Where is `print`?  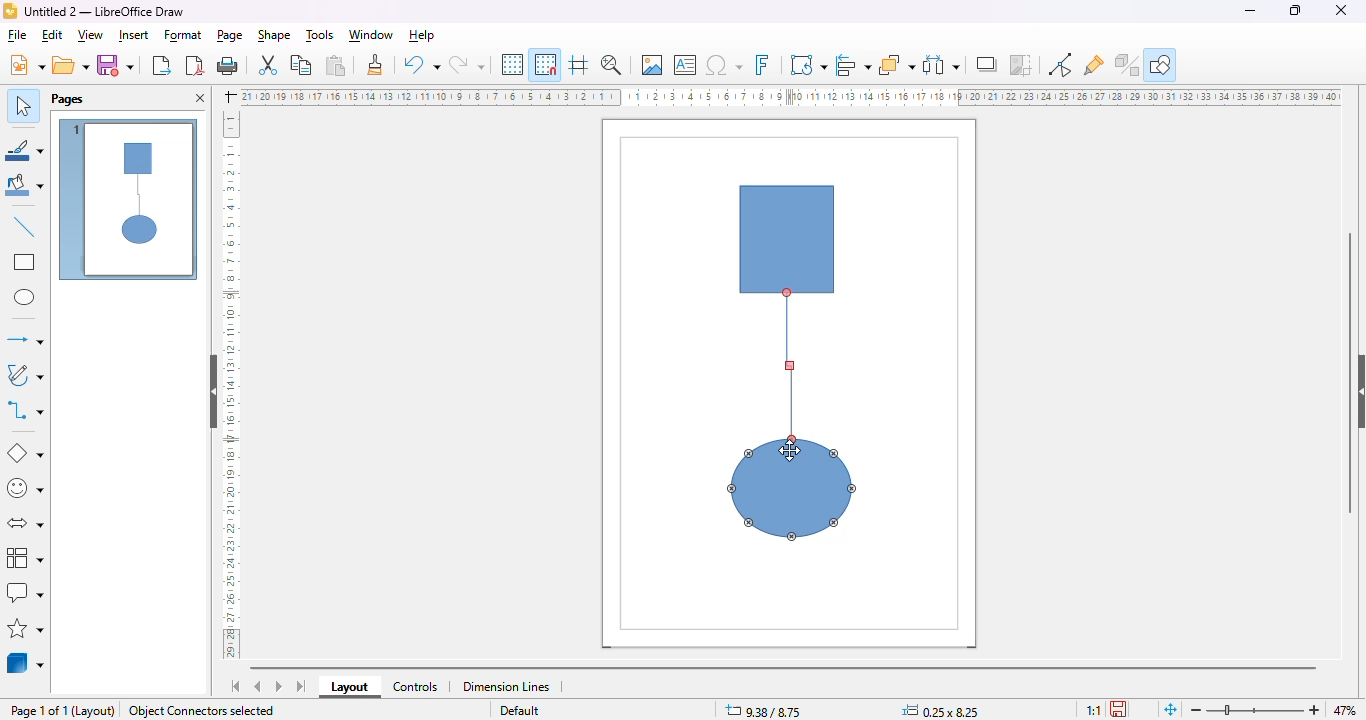 print is located at coordinates (227, 65).